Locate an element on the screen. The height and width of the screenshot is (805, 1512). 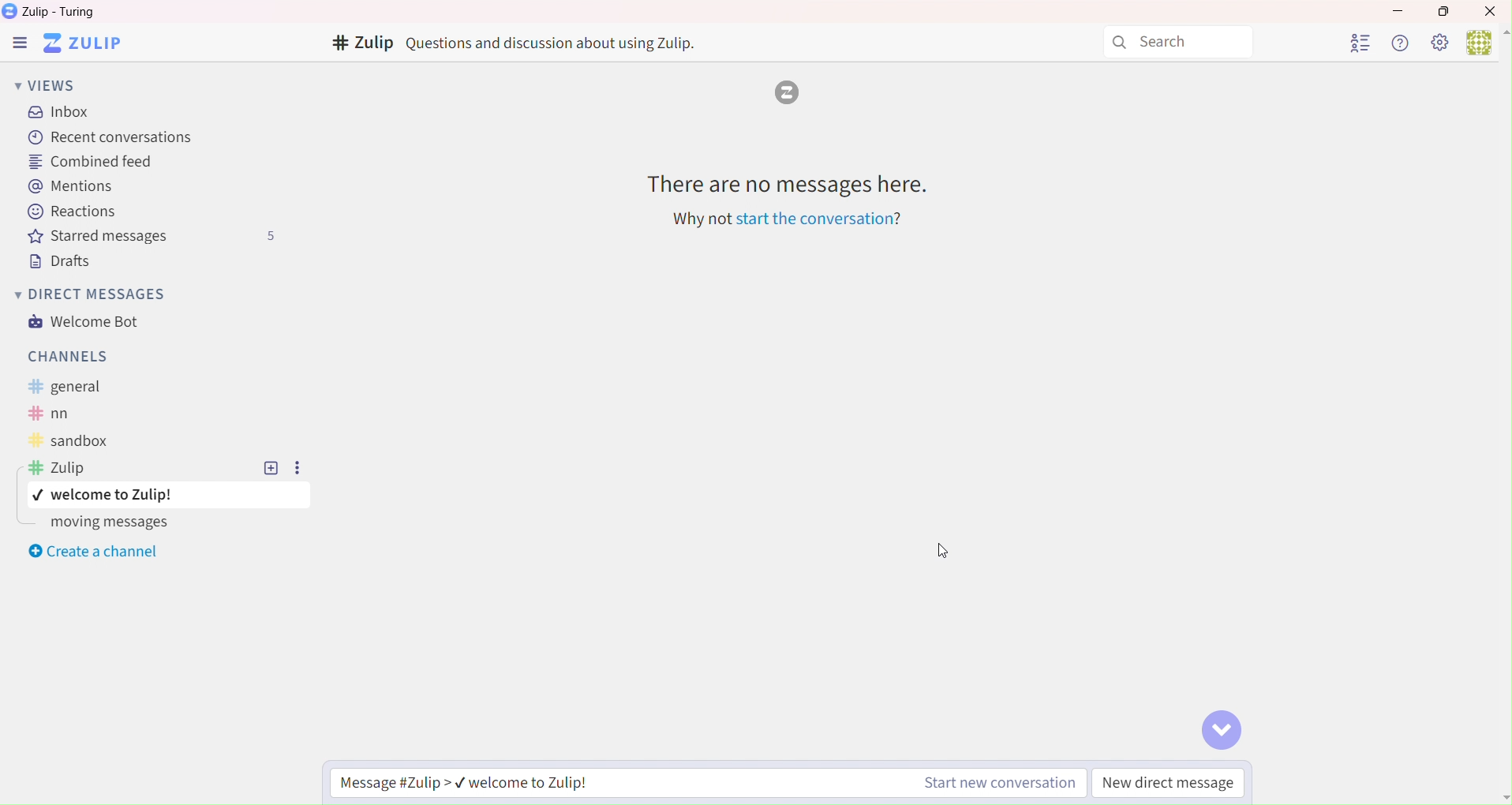
Moving messages is located at coordinates (99, 522).